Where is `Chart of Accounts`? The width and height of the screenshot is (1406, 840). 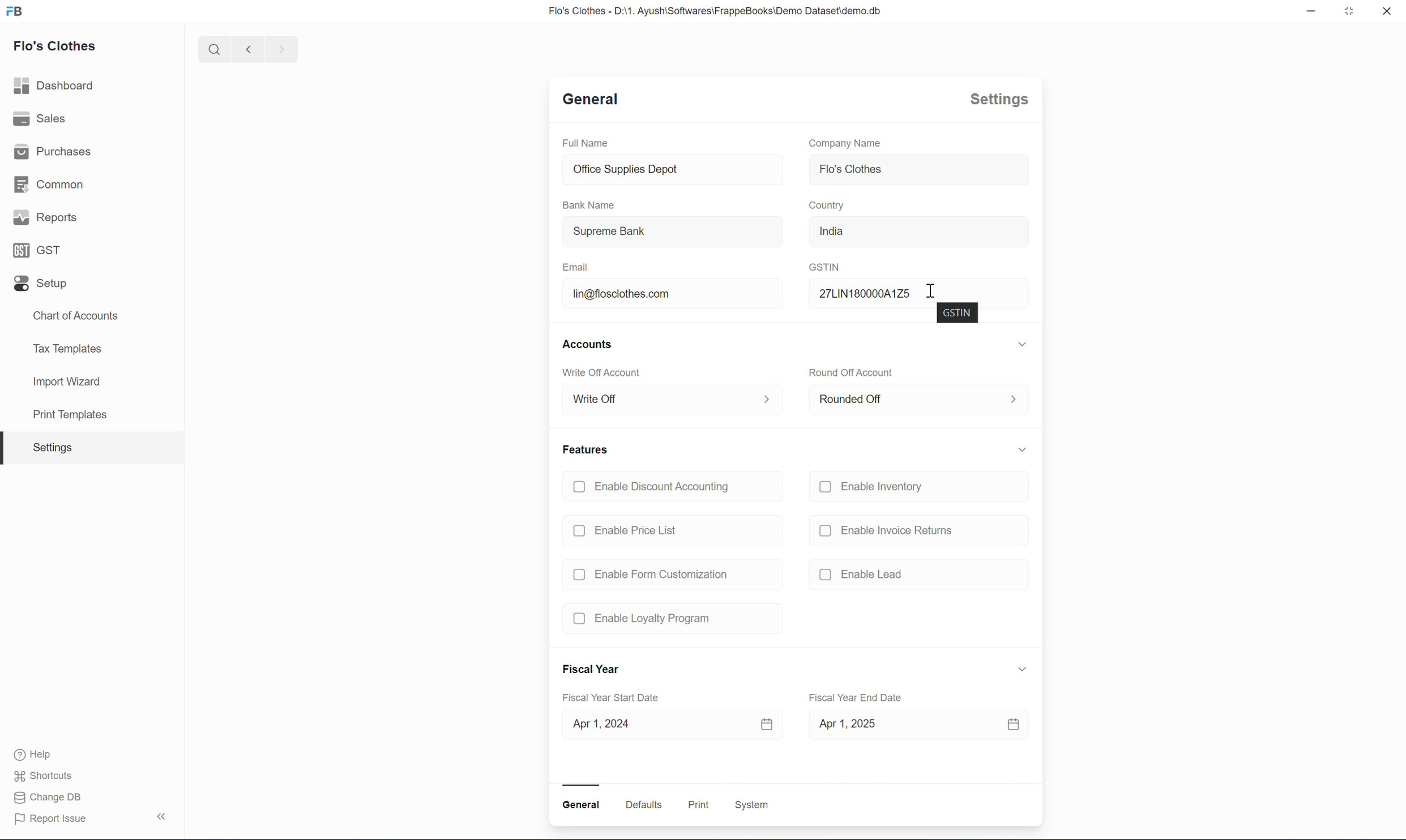
Chart of Accounts is located at coordinates (75, 316).